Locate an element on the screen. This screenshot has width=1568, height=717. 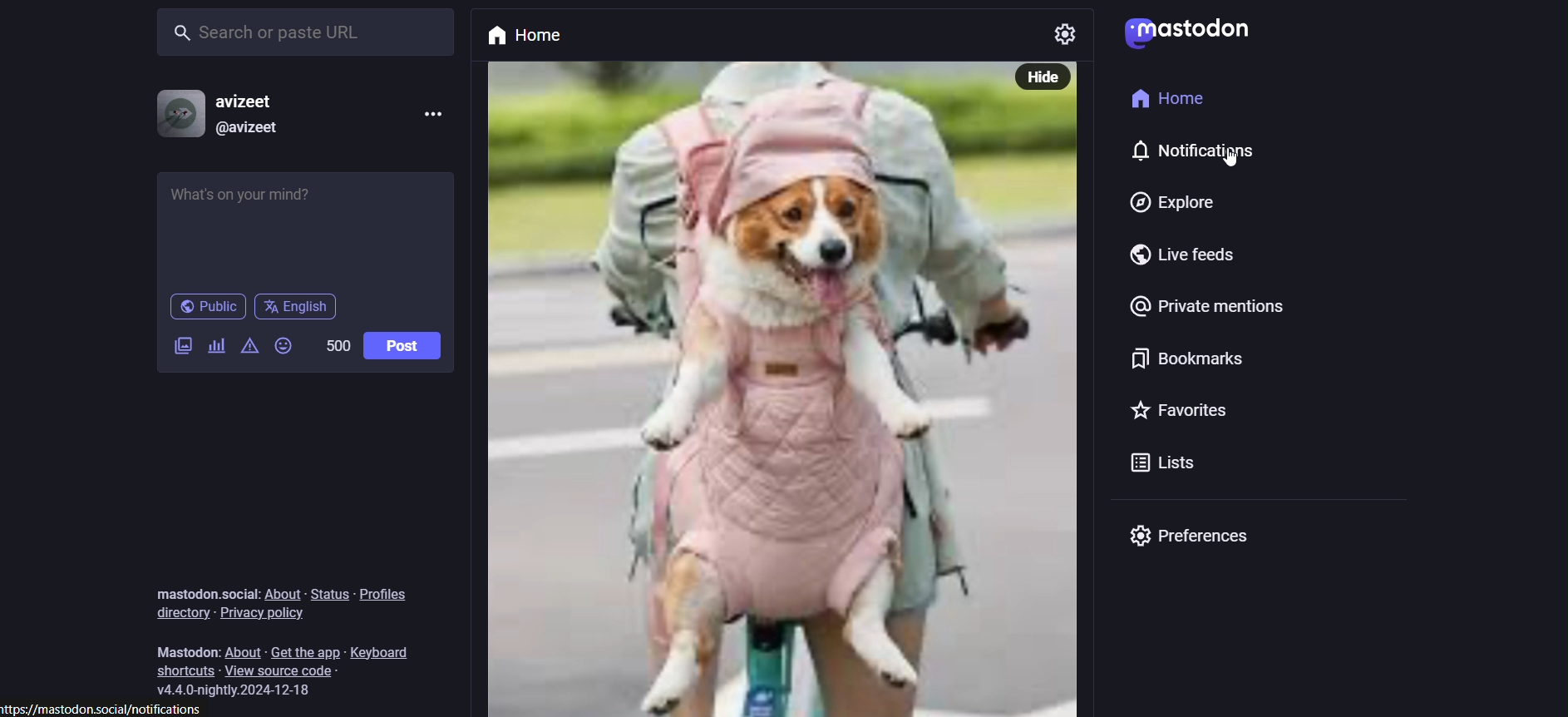
setting is located at coordinates (1066, 34).